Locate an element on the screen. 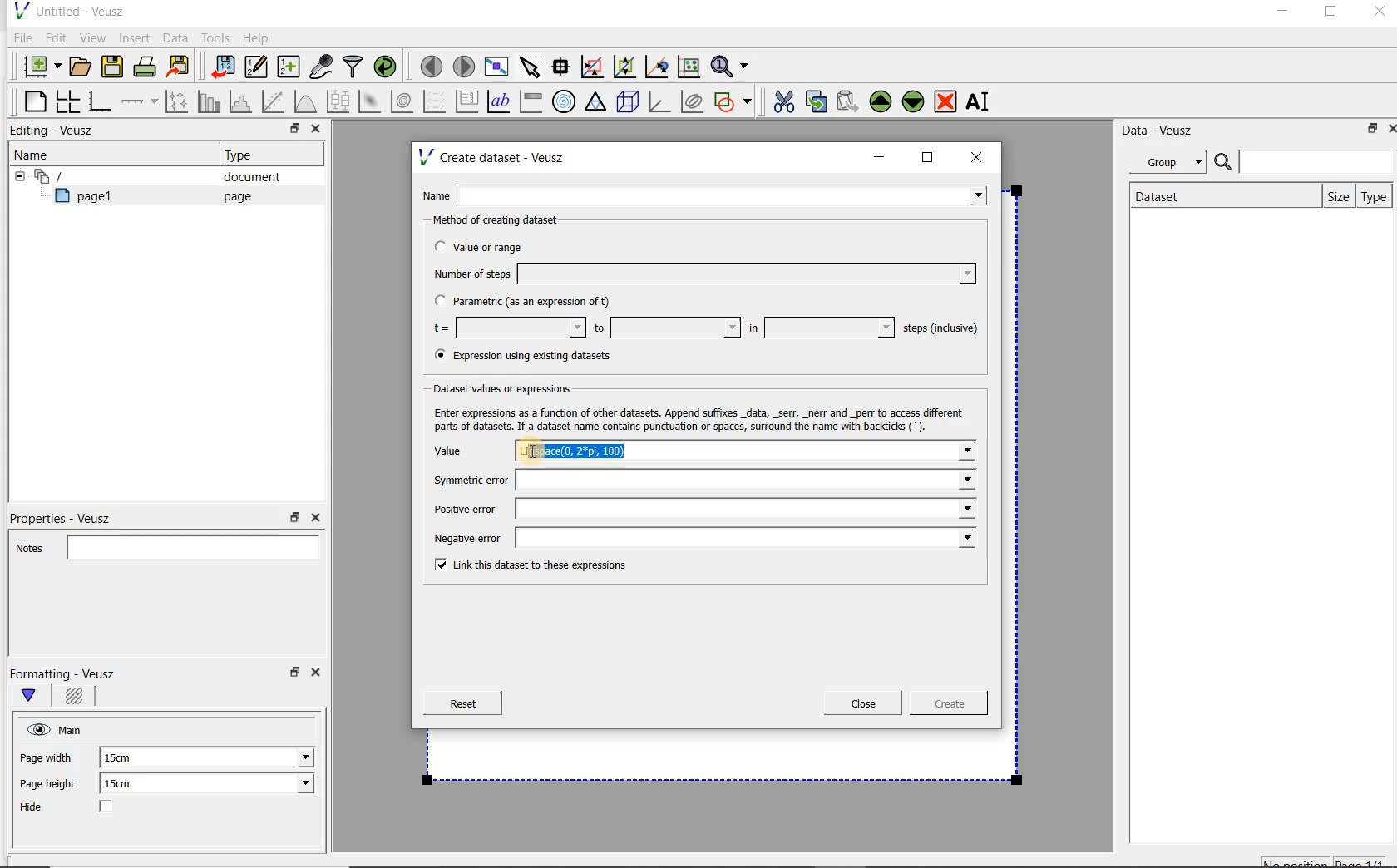 This screenshot has height=868, width=1397. document is located at coordinates (245, 177).